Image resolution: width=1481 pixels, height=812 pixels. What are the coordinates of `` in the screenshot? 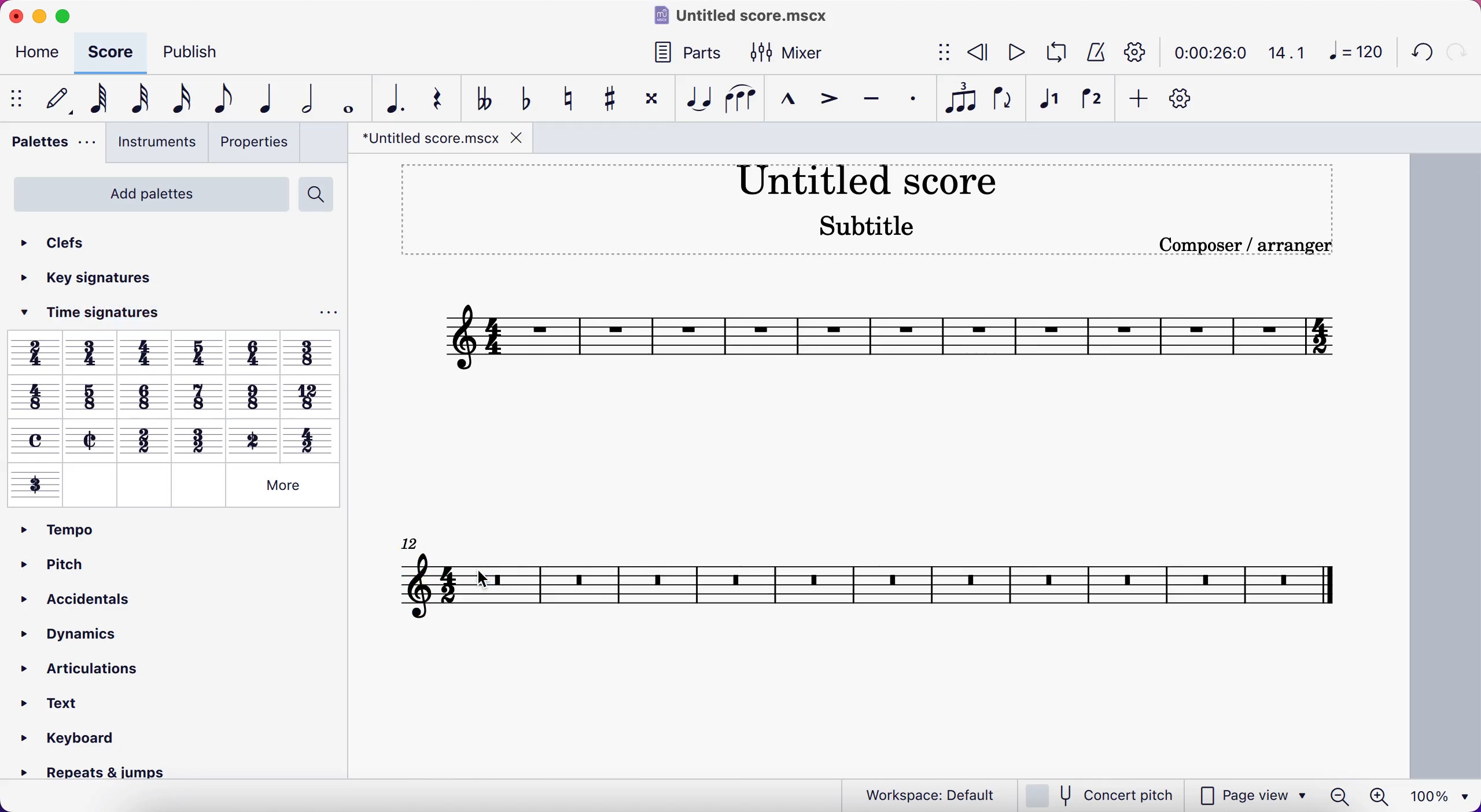 It's located at (93, 352).